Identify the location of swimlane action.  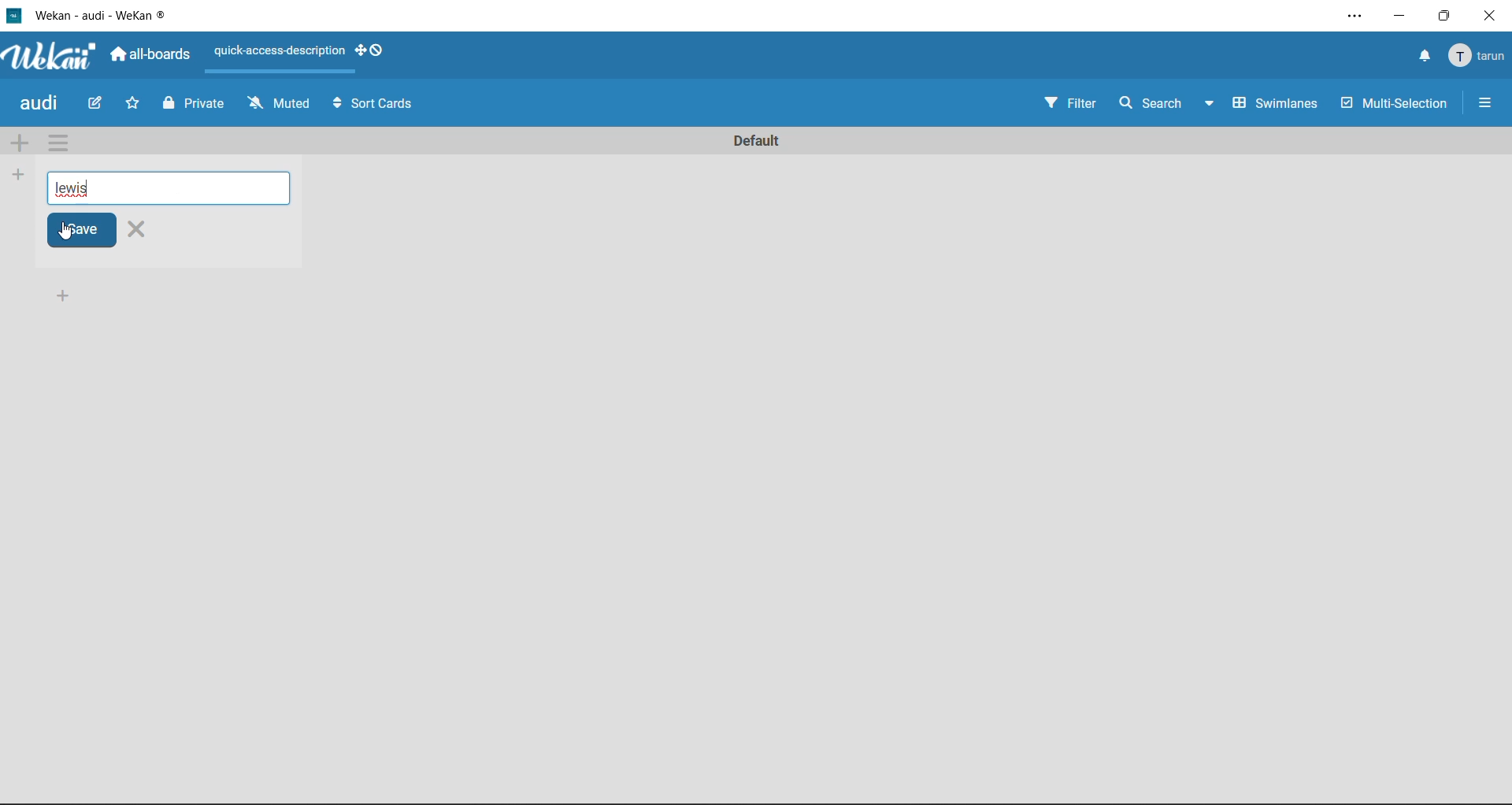
(57, 142).